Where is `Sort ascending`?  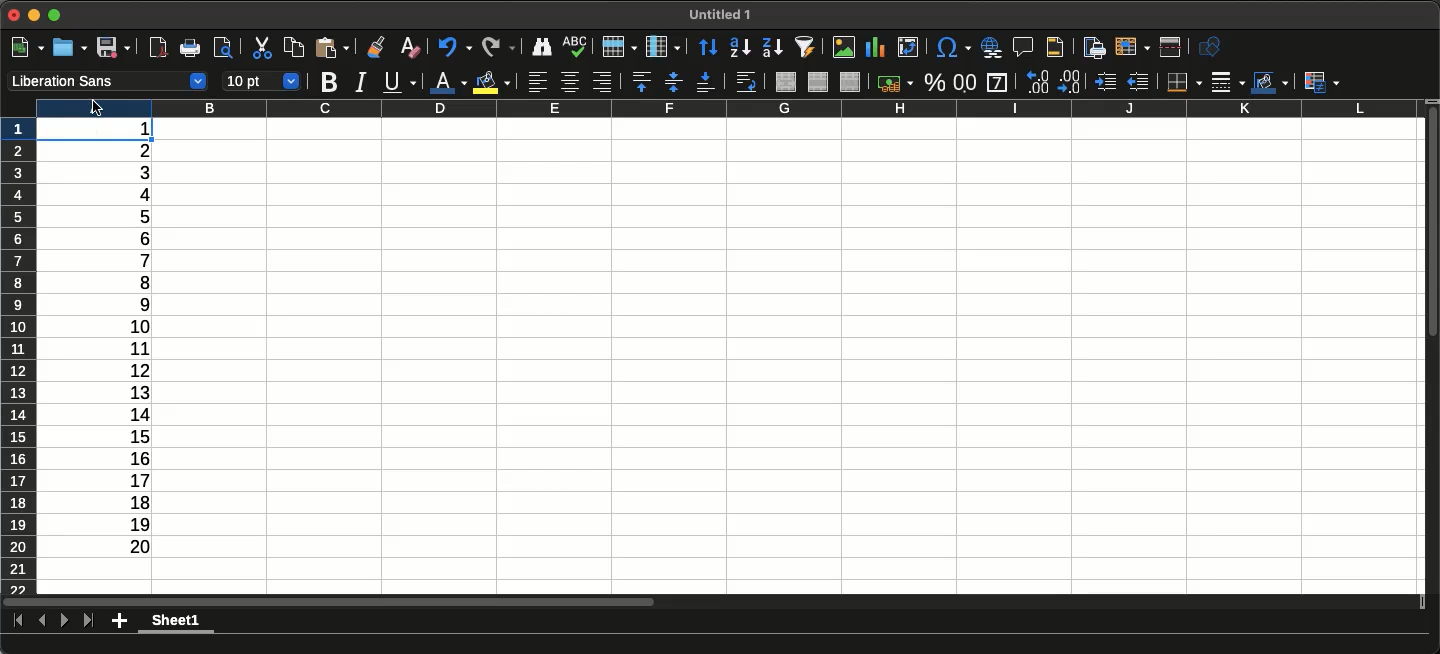 Sort ascending is located at coordinates (737, 48).